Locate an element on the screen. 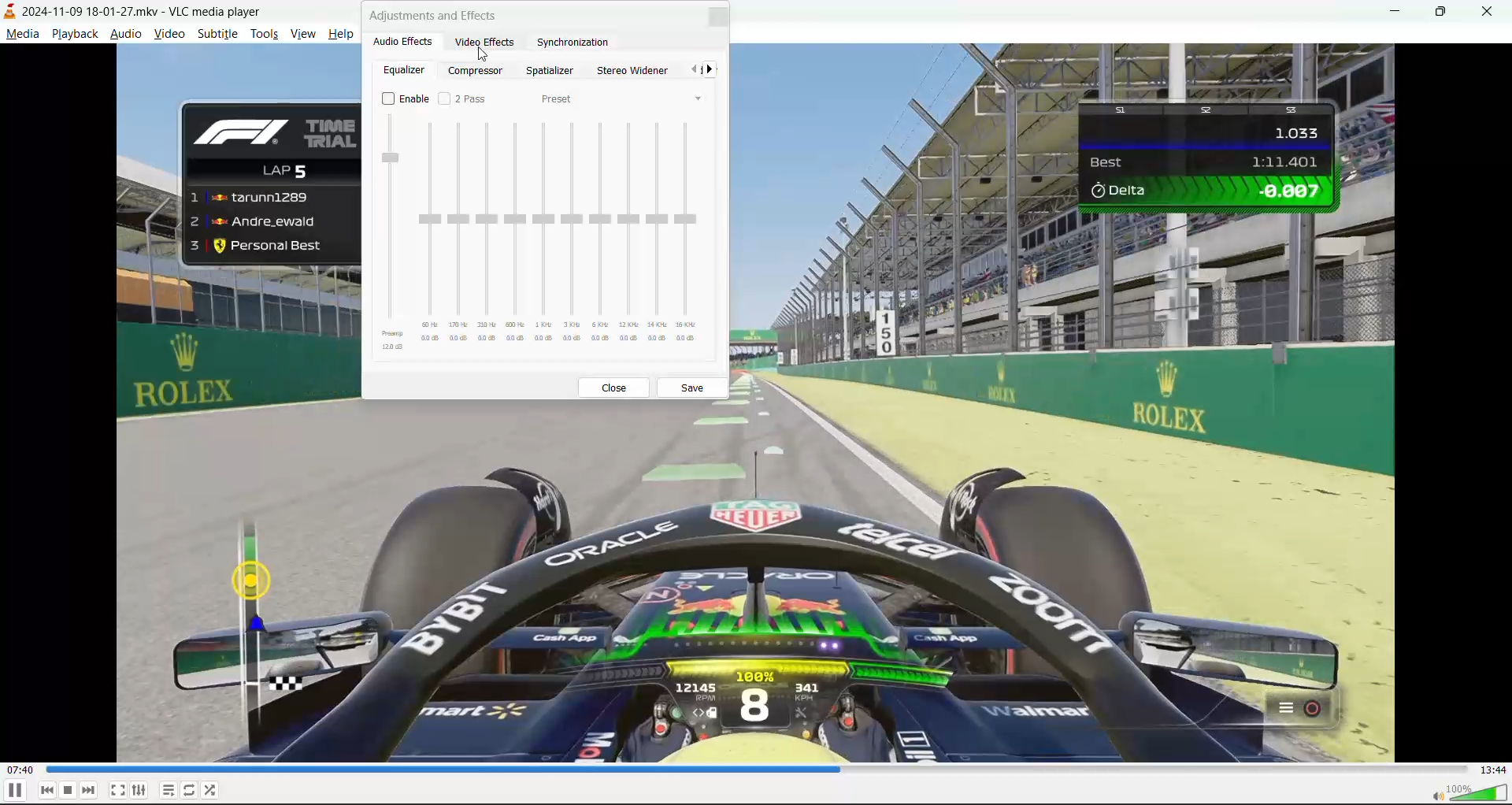  compressor is located at coordinates (480, 71).